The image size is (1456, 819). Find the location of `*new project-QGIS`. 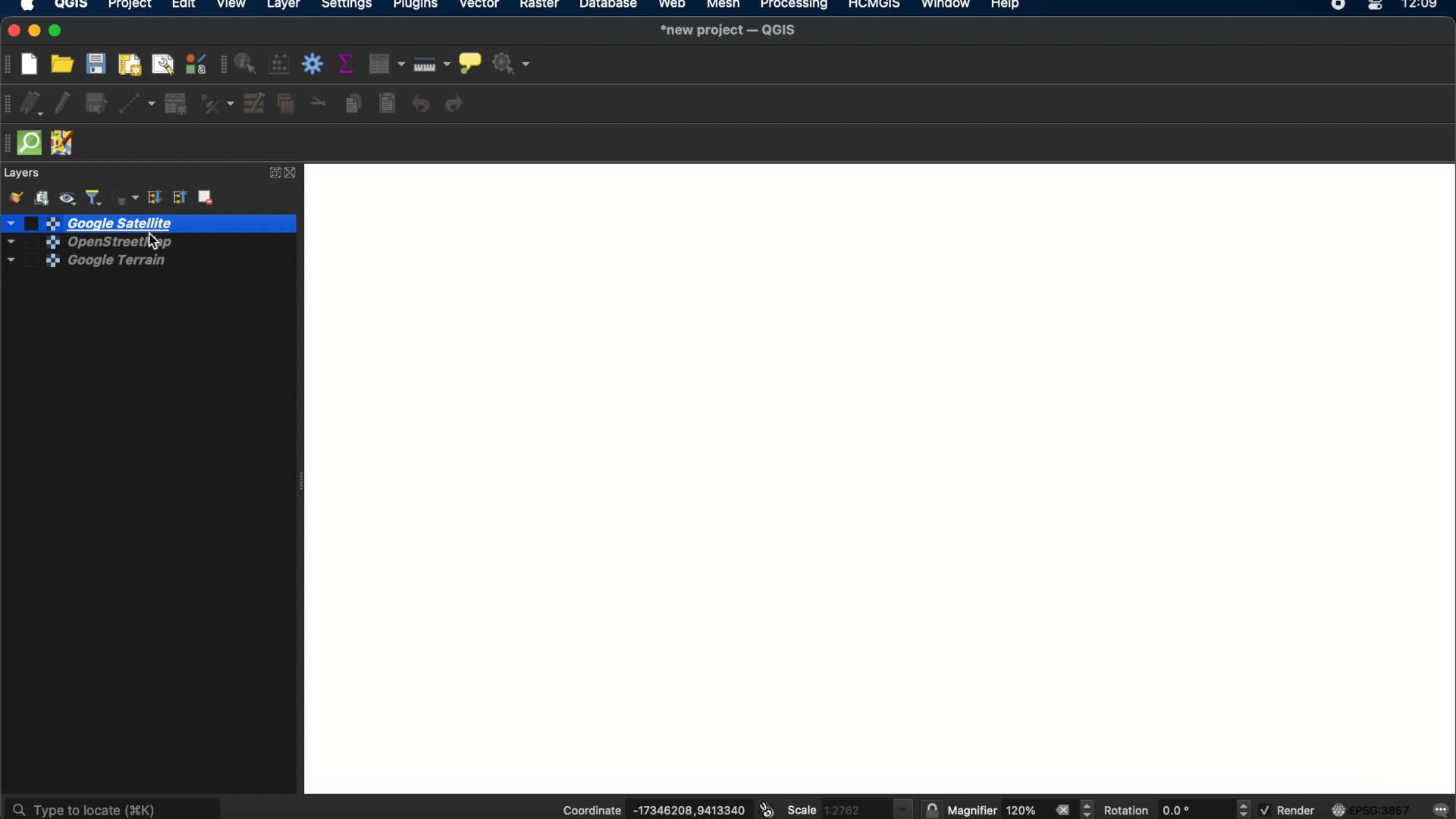

*new project-QGIS is located at coordinates (730, 31).